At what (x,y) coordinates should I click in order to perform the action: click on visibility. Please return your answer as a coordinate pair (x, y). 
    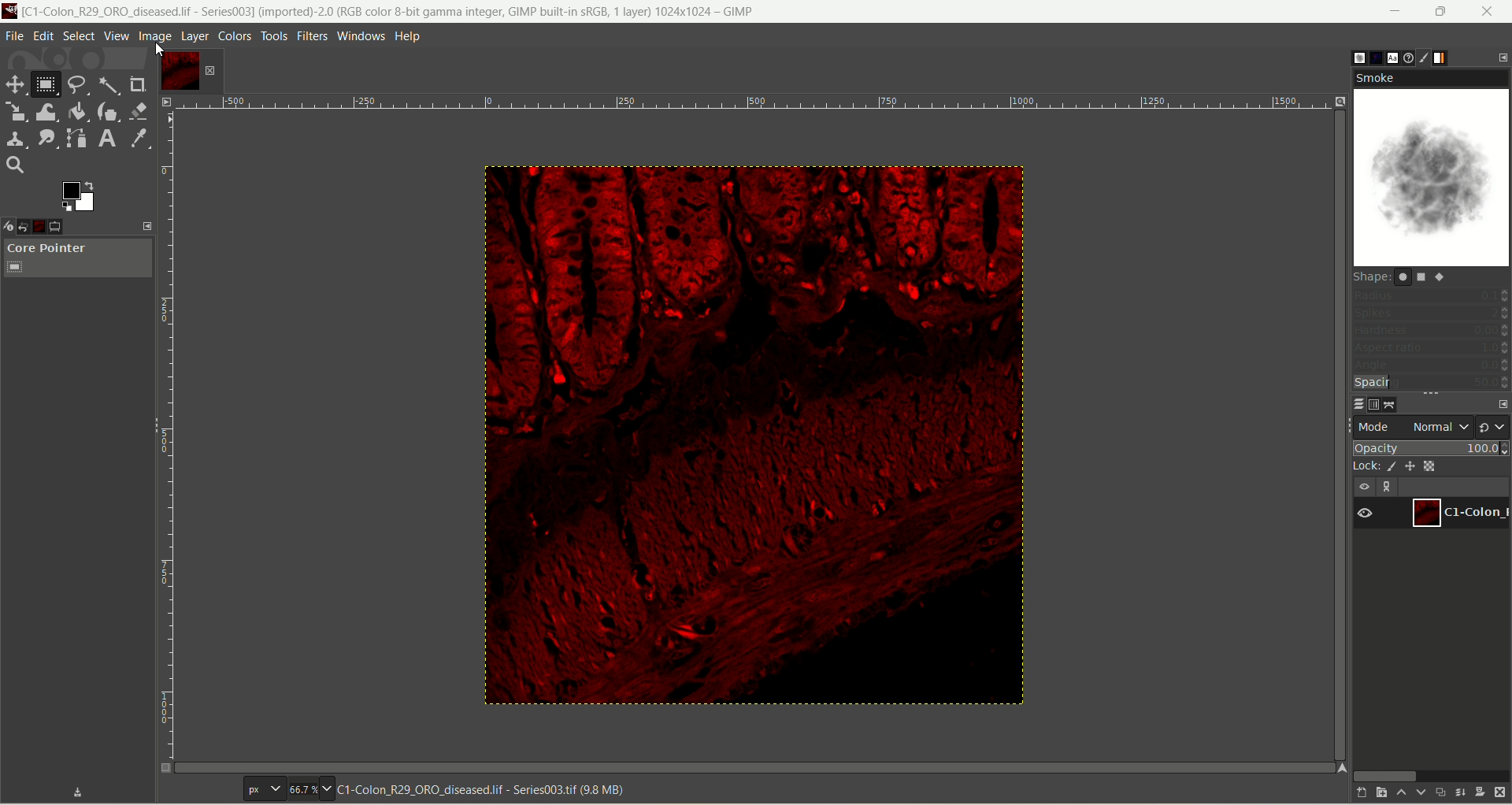
    Looking at the image, I should click on (1366, 514).